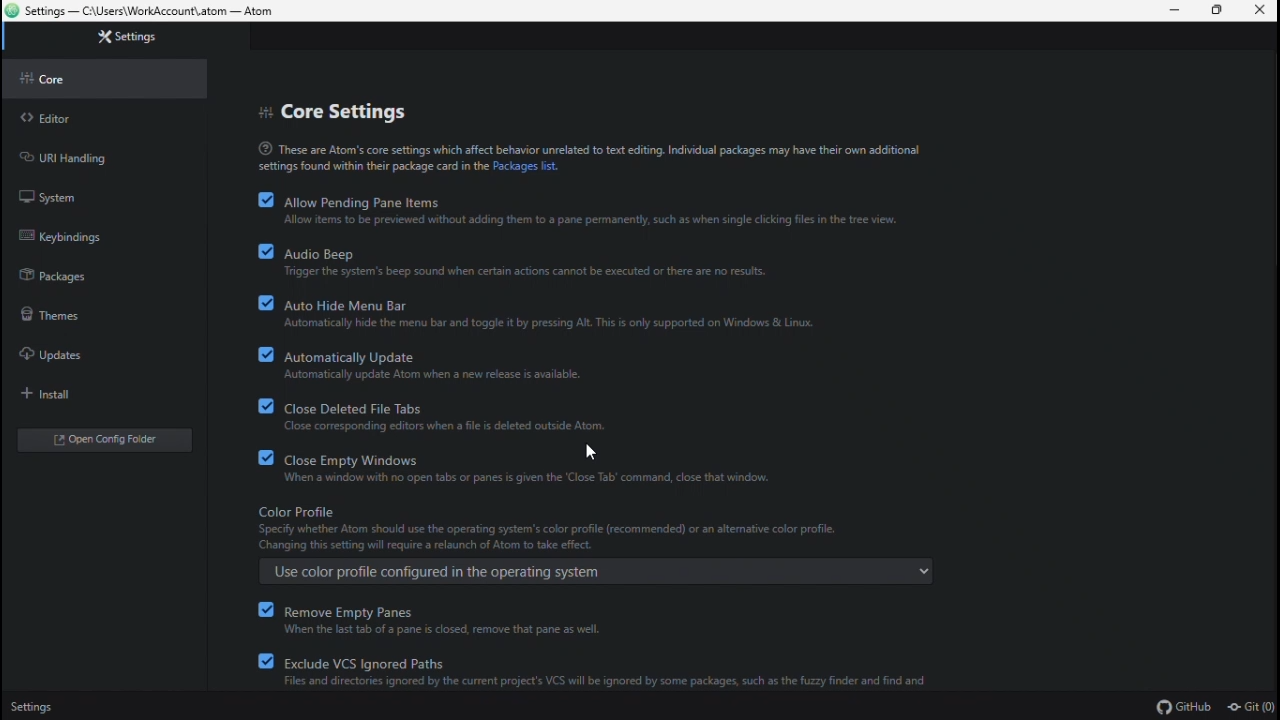 The height and width of the screenshot is (720, 1280). Describe the element at coordinates (1250, 707) in the screenshot. I see `Git (0)` at that location.